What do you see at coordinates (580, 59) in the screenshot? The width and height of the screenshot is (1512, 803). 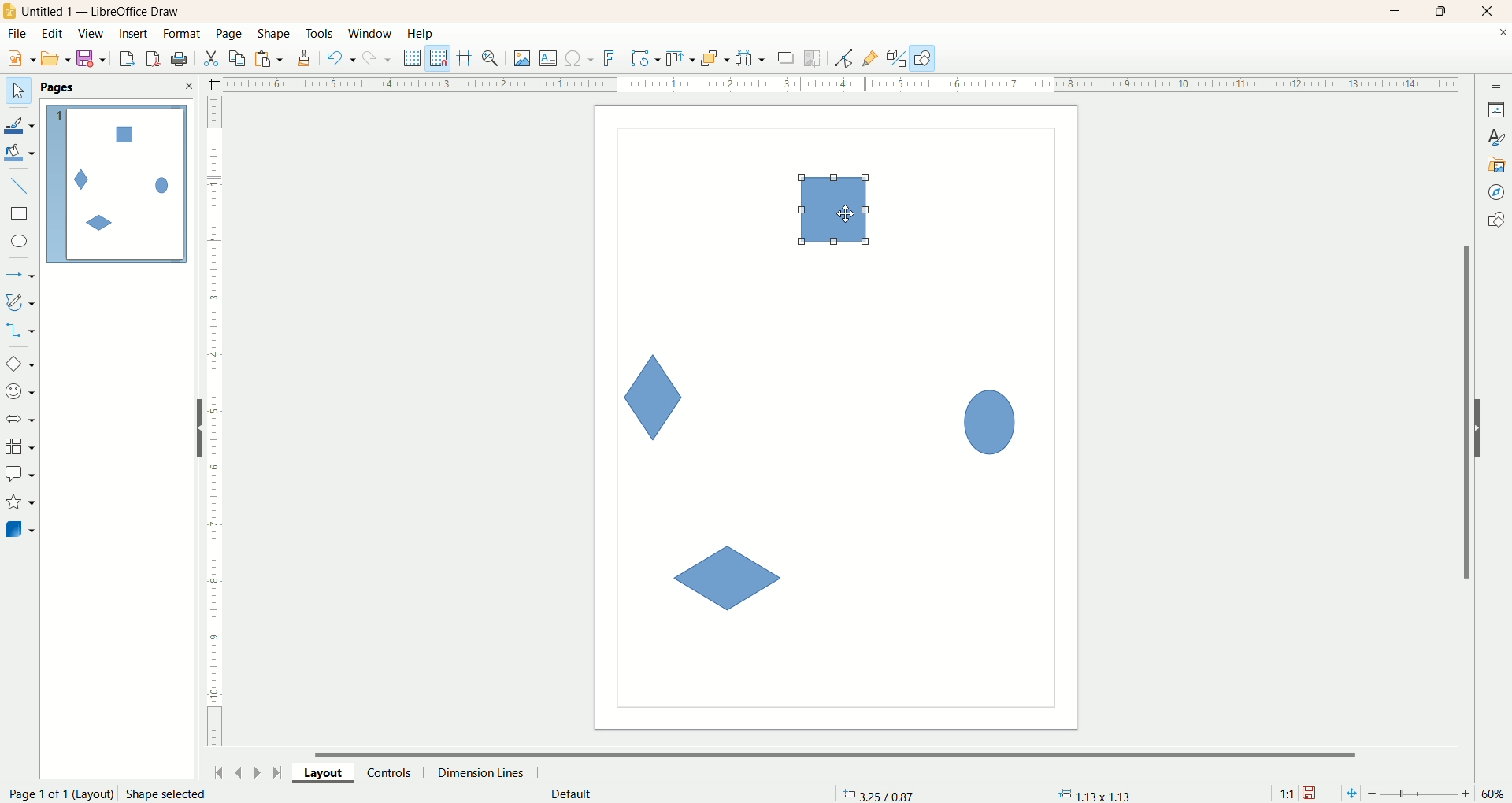 I see `special character` at bounding box center [580, 59].